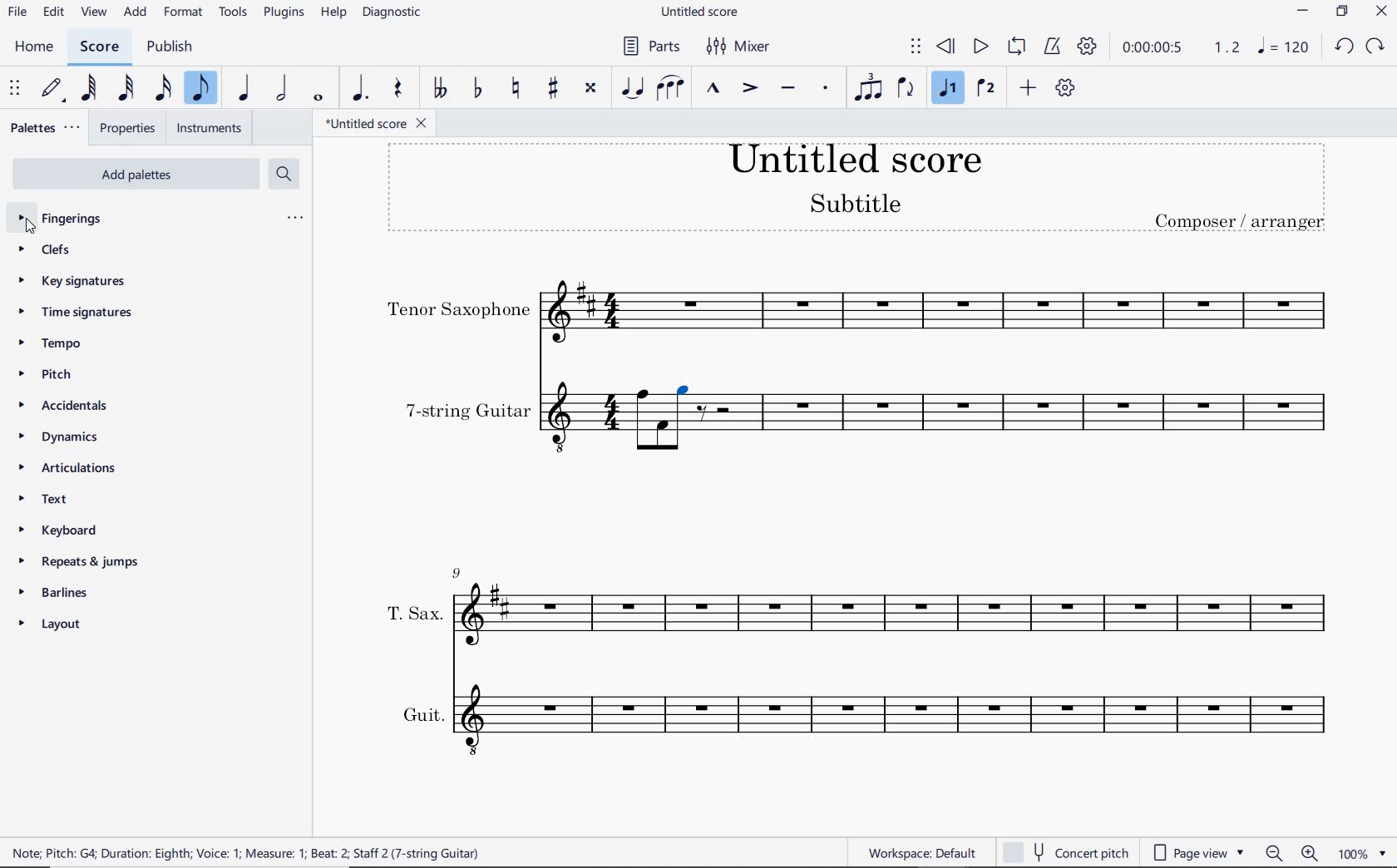 The image size is (1397, 868). What do you see at coordinates (945, 47) in the screenshot?
I see `REWIND` at bounding box center [945, 47].